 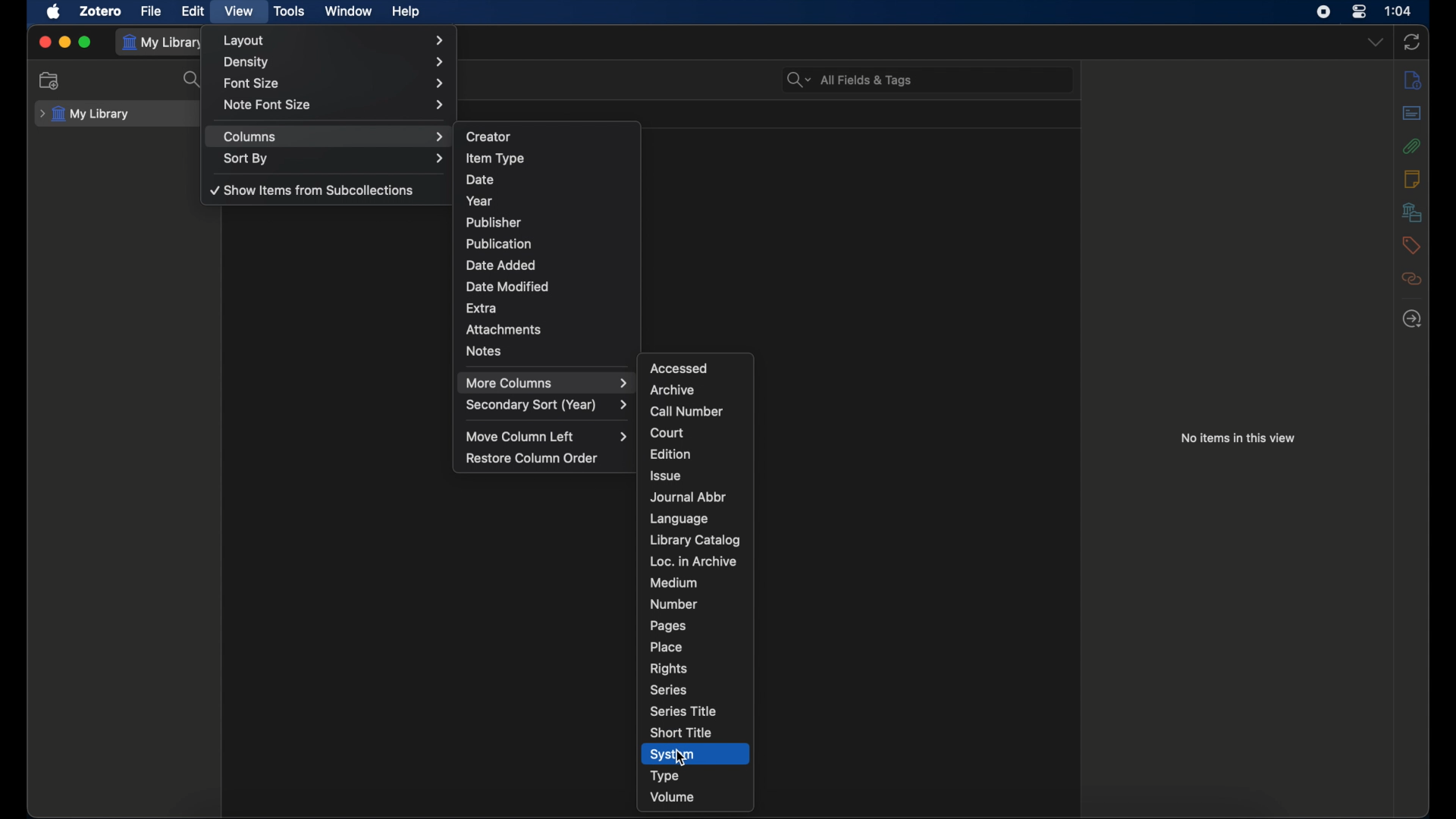 I want to click on item type, so click(x=495, y=158).